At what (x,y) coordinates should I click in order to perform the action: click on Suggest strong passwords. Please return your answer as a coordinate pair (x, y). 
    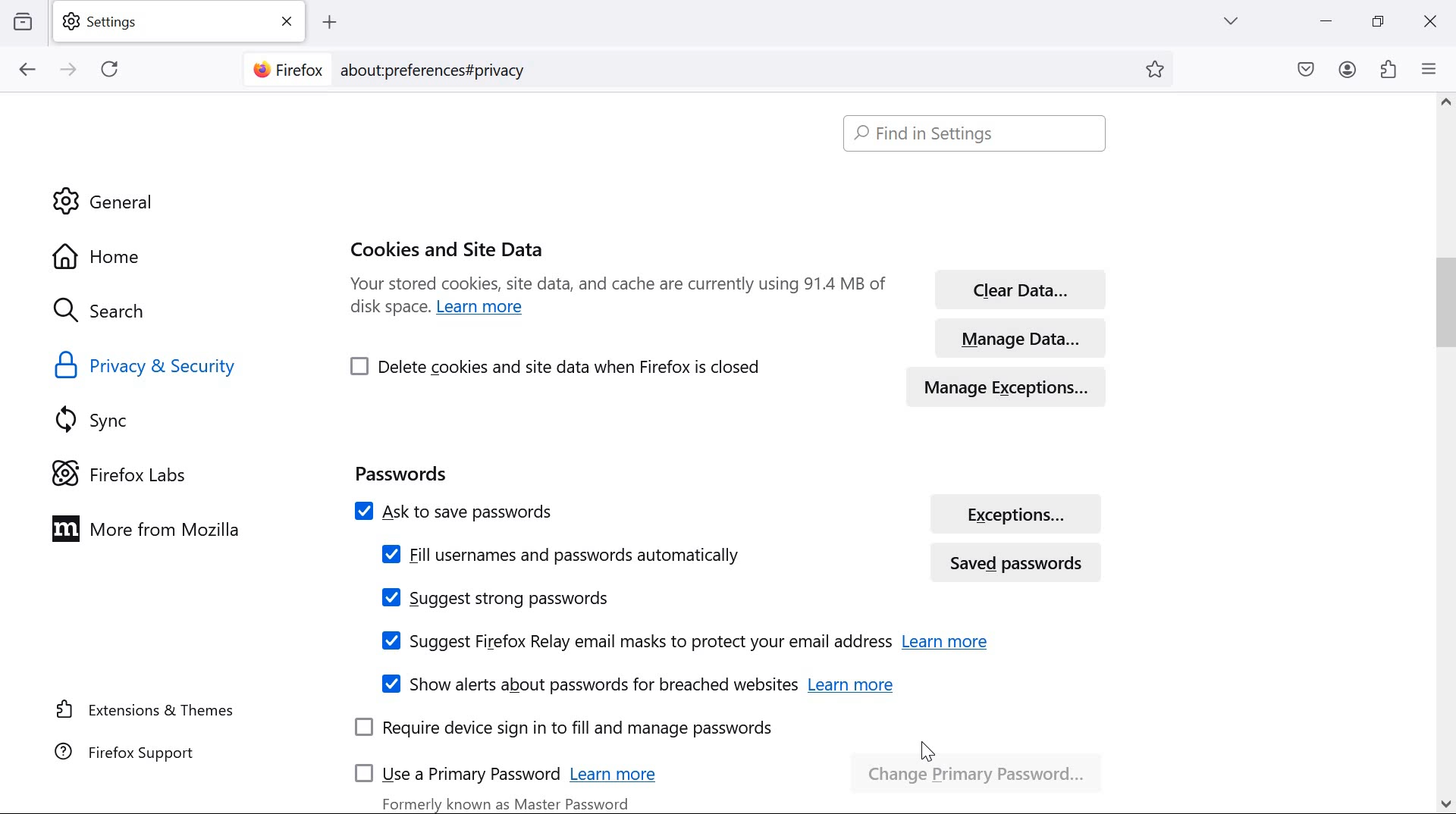
    Looking at the image, I should click on (496, 598).